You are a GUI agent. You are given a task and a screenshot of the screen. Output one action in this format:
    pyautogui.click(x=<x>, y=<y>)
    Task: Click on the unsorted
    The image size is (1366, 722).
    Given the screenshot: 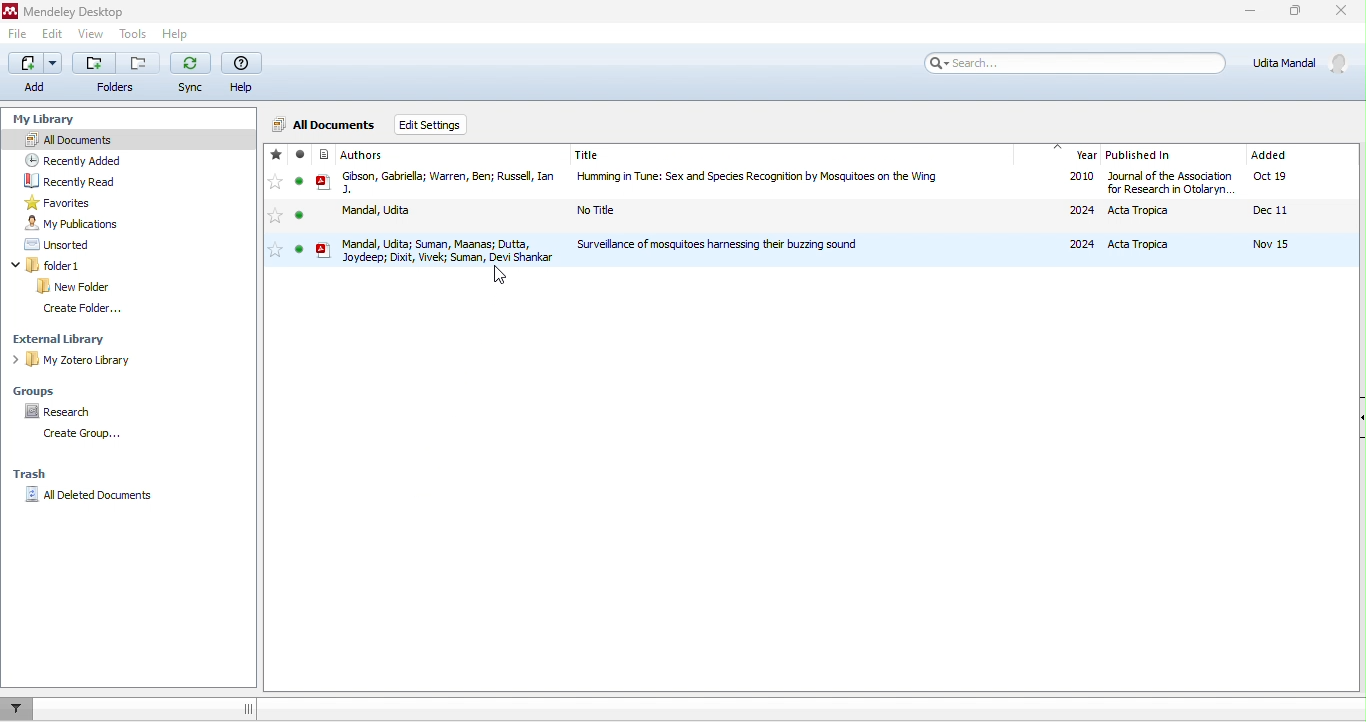 What is the action you would take?
    pyautogui.click(x=64, y=246)
    